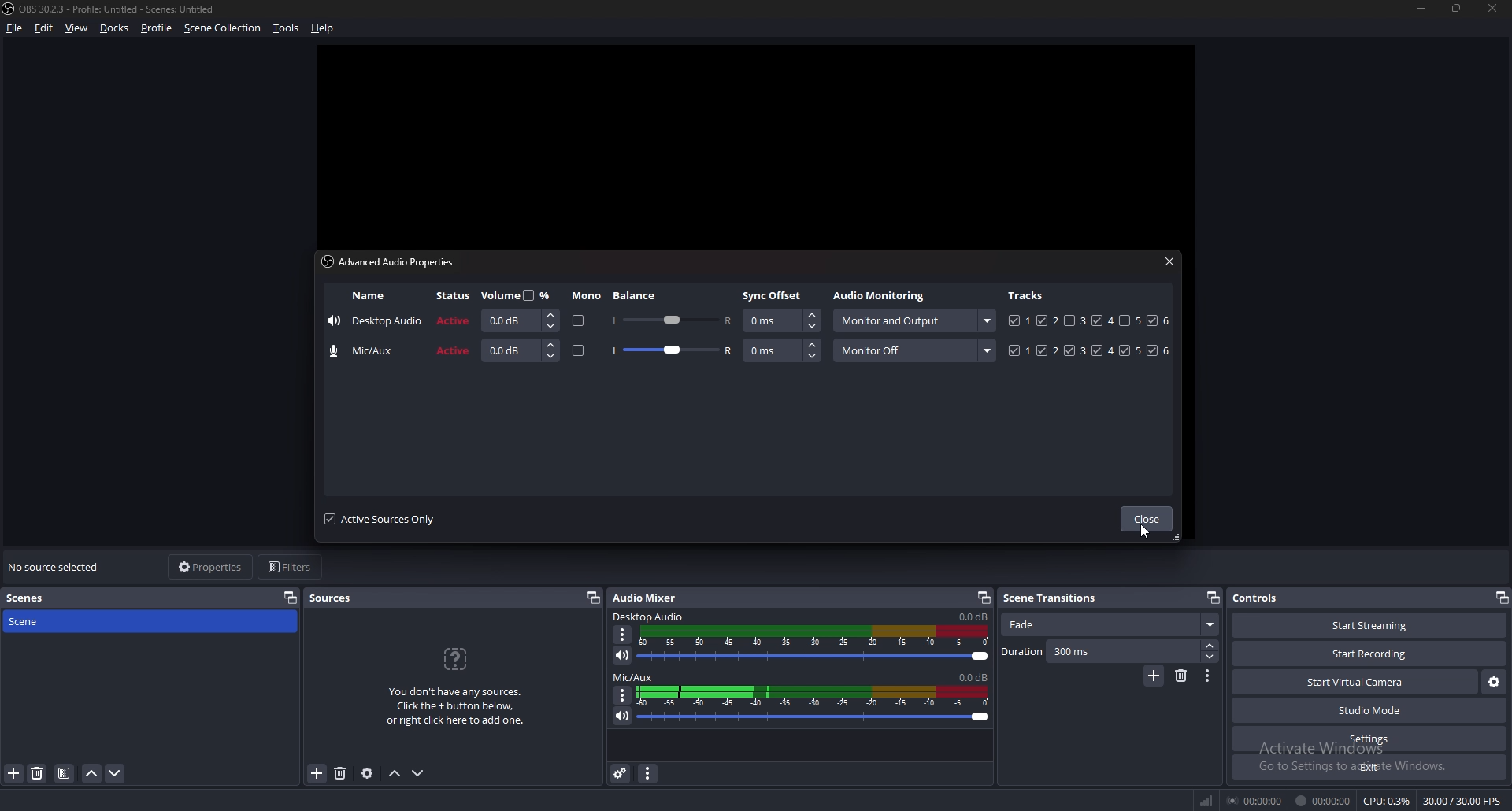  I want to click on close, so click(1169, 261).